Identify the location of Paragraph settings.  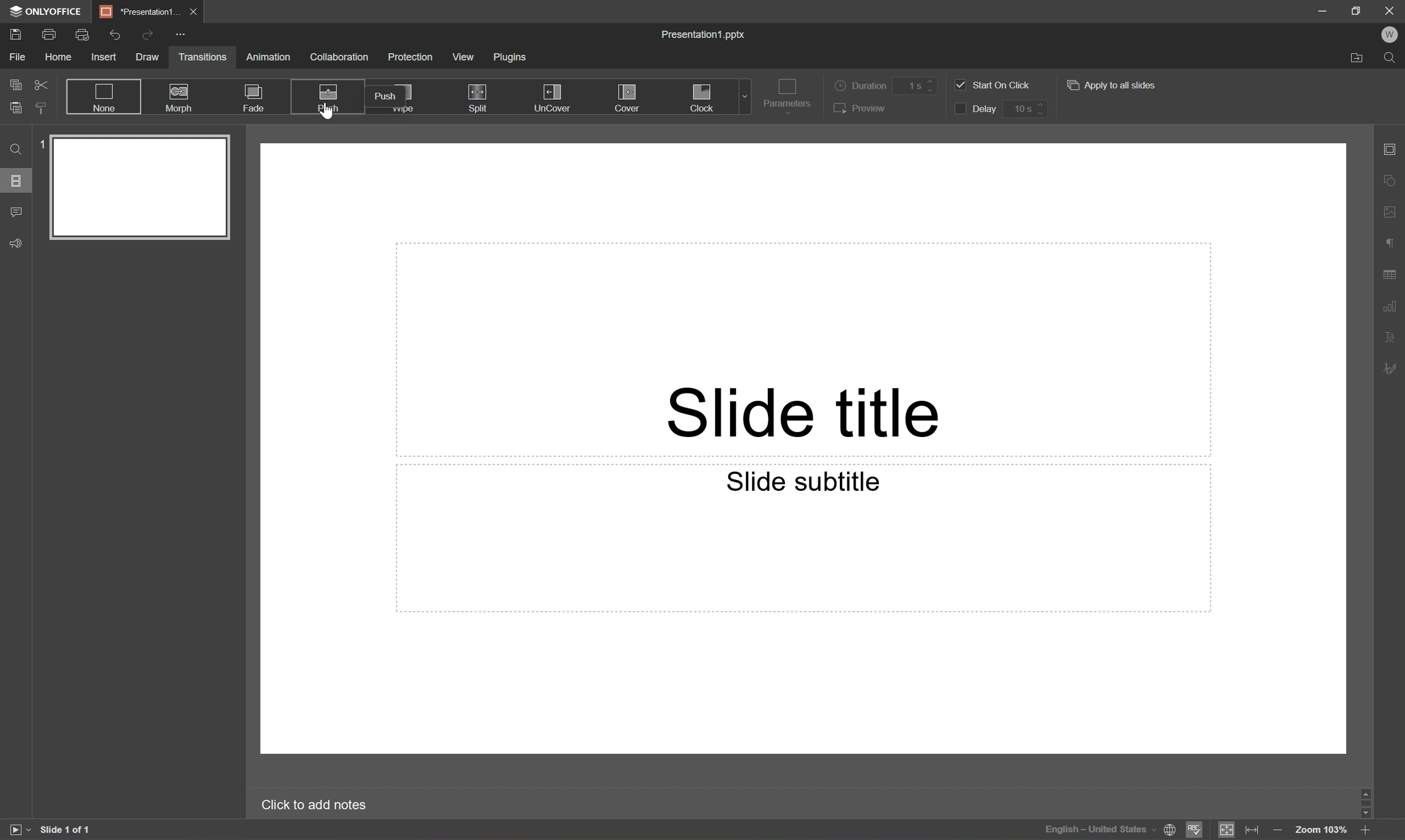
(1389, 243).